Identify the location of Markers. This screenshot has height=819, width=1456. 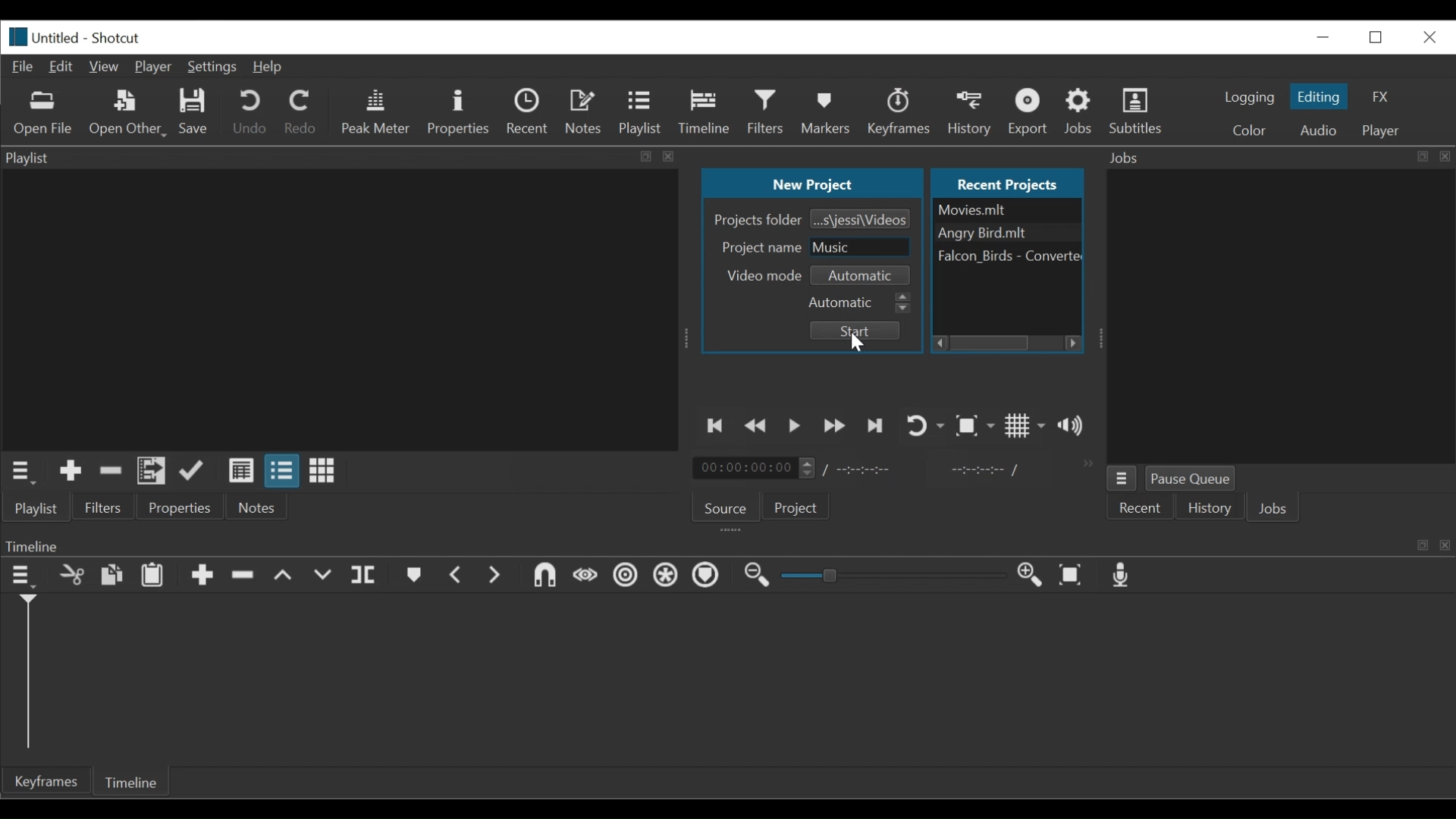
(827, 113).